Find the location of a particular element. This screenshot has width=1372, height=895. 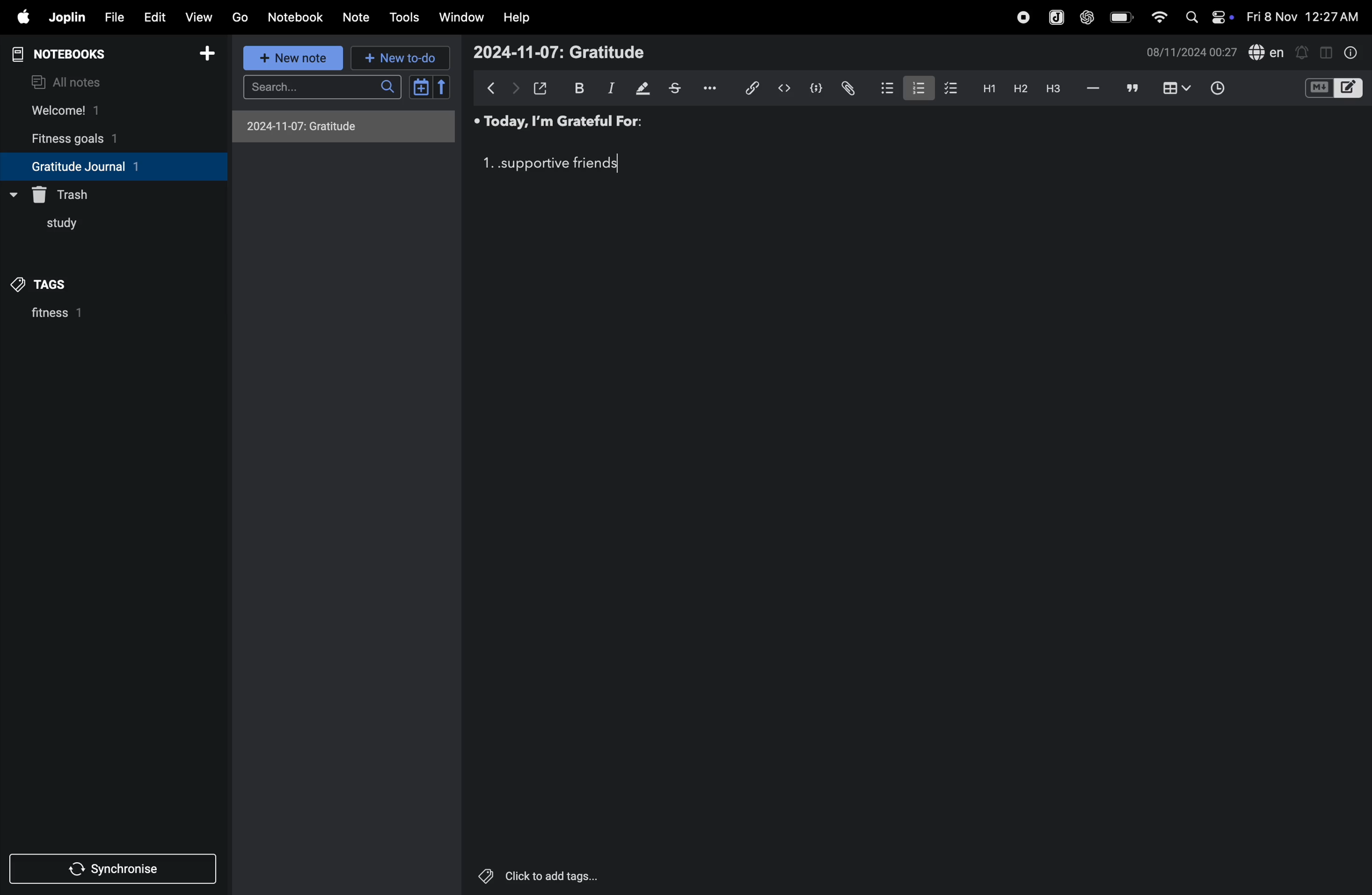

window is located at coordinates (462, 16).